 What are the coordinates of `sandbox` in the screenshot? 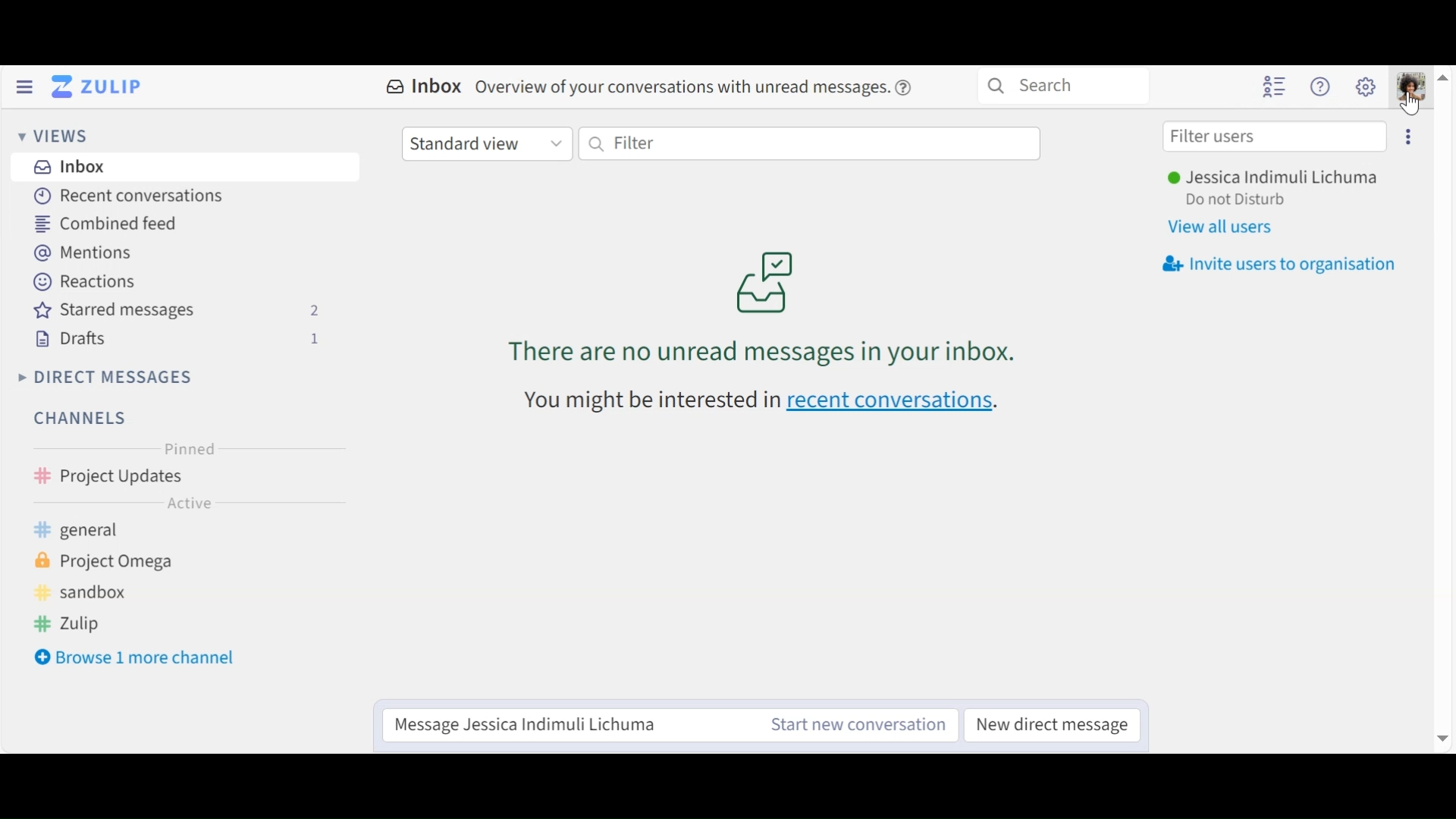 It's located at (96, 593).